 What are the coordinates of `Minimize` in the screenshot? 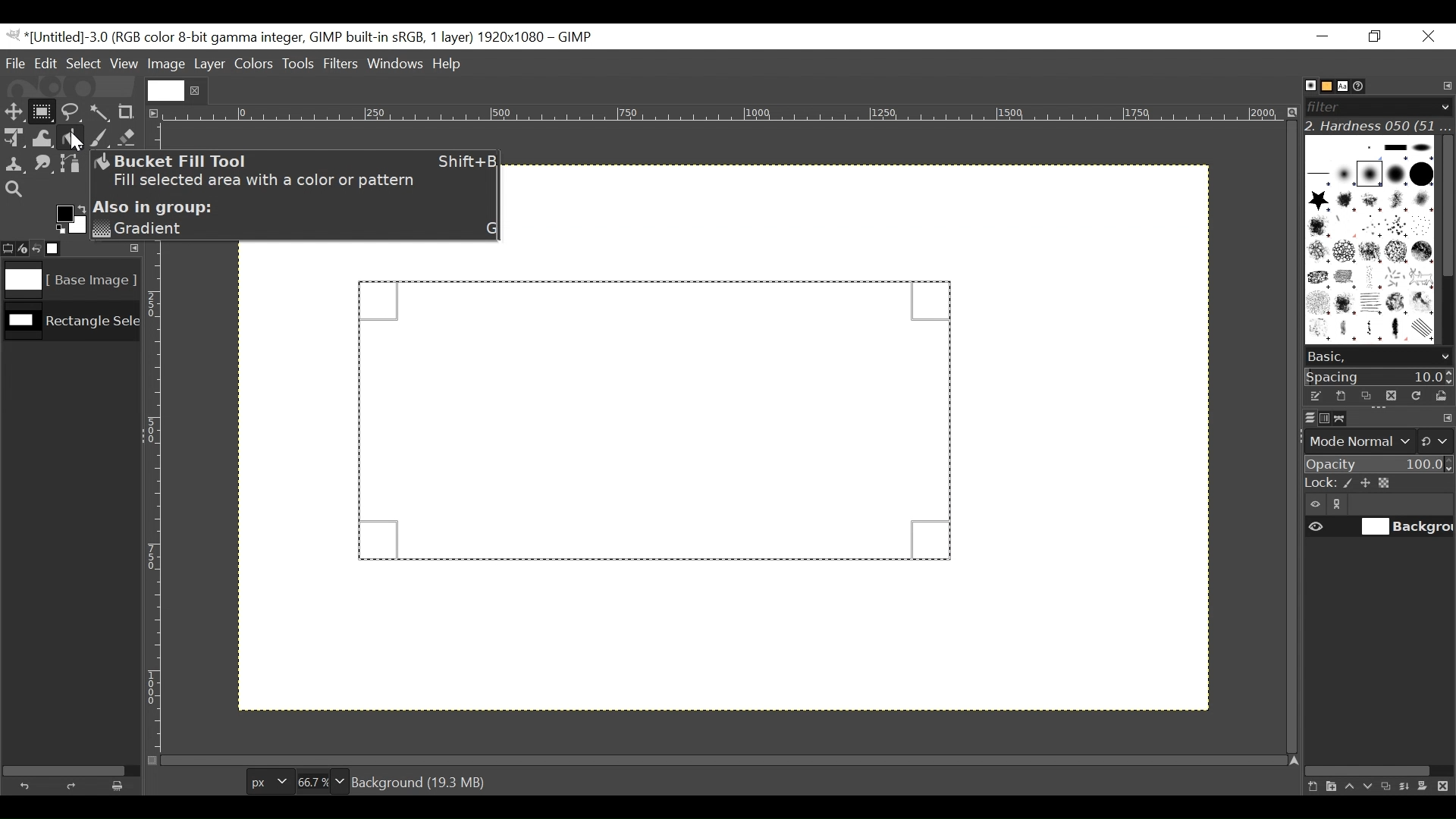 It's located at (1323, 36).